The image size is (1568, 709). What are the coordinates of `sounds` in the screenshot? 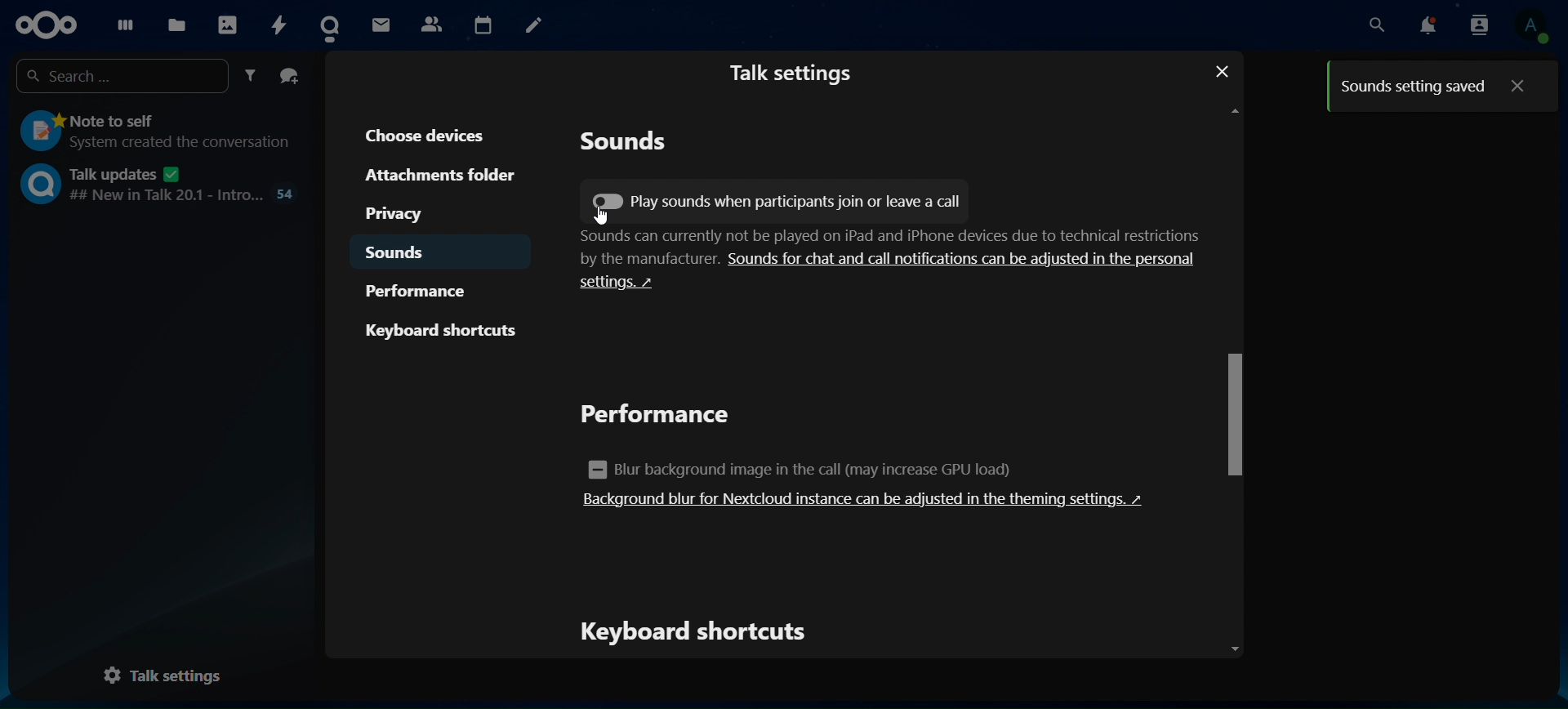 It's located at (626, 145).